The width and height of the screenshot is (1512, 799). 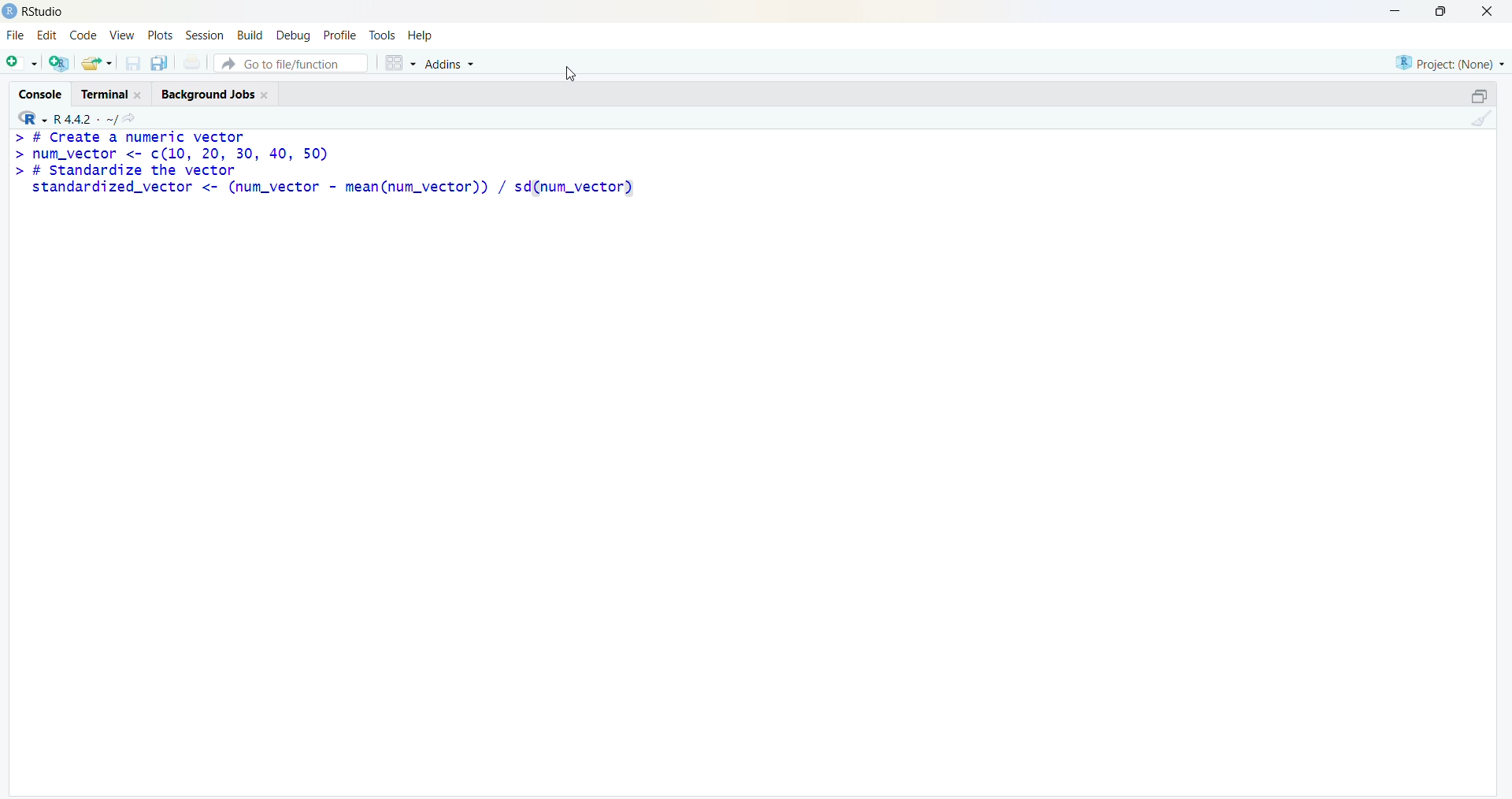 I want to click on file, so click(x=16, y=35).